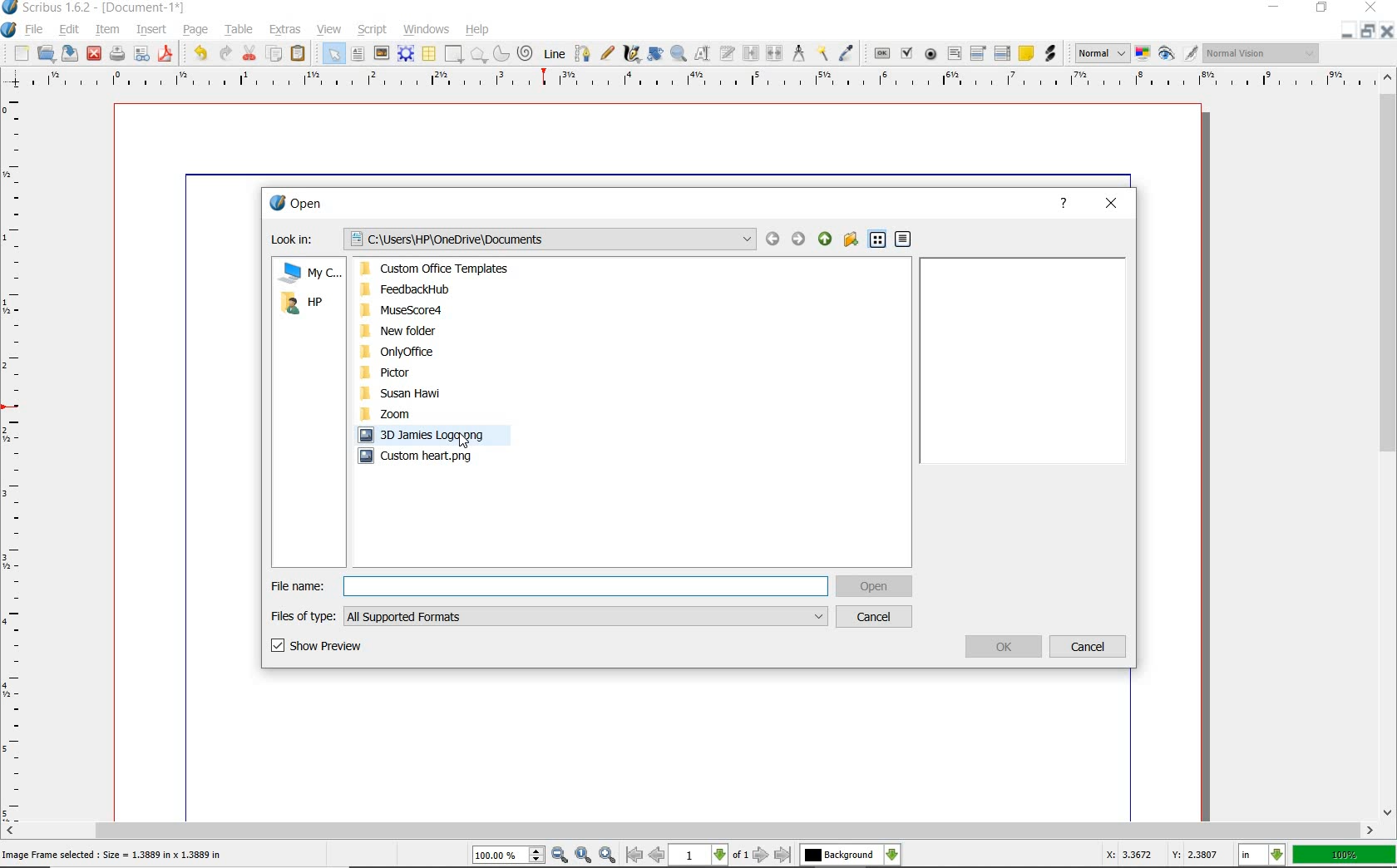 The image size is (1397, 868). Describe the element at coordinates (332, 31) in the screenshot. I see `view` at that location.